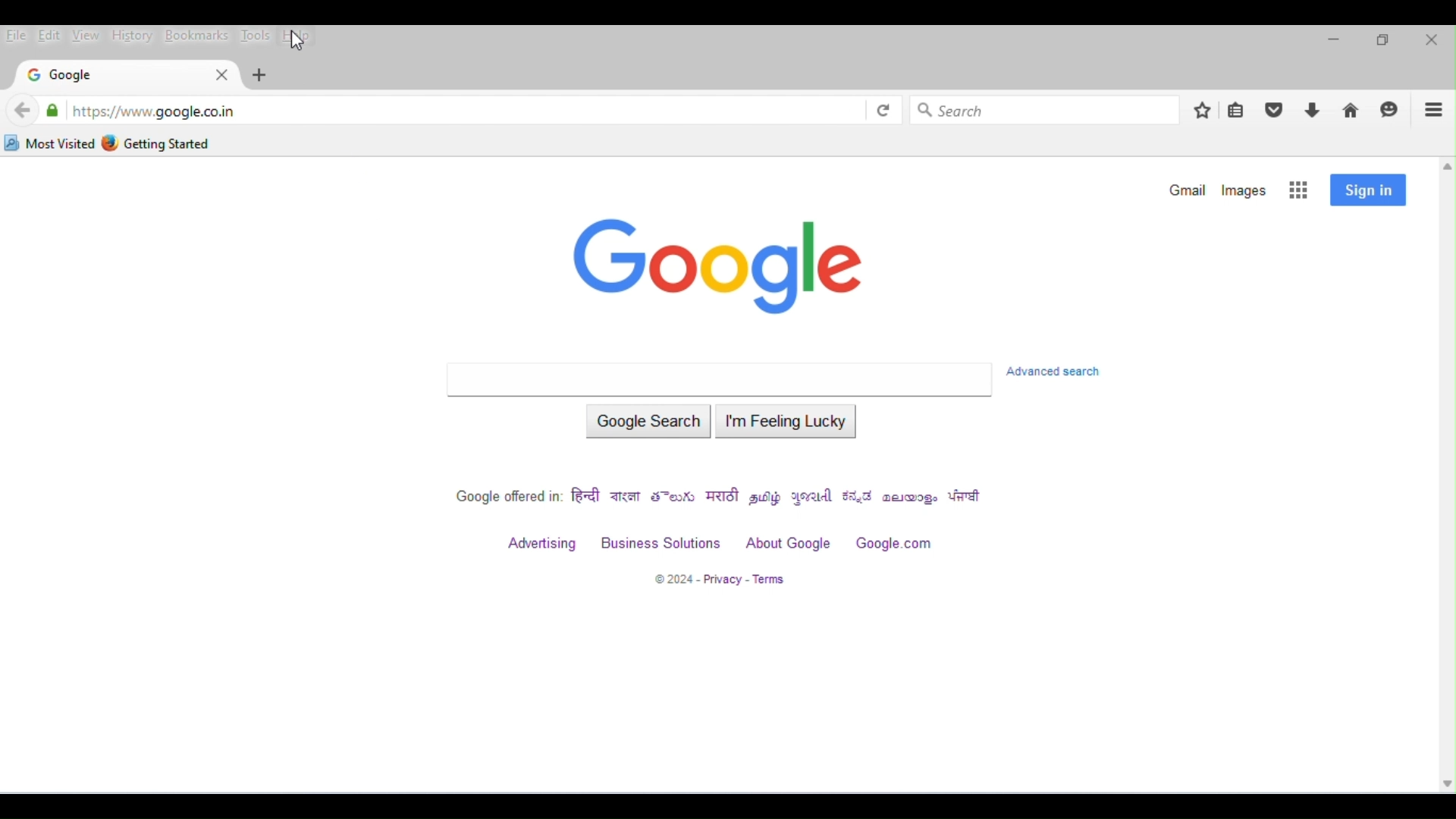 The width and height of the screenshot is (1456, 819). I want to click on search bar, so click(1048, 108).